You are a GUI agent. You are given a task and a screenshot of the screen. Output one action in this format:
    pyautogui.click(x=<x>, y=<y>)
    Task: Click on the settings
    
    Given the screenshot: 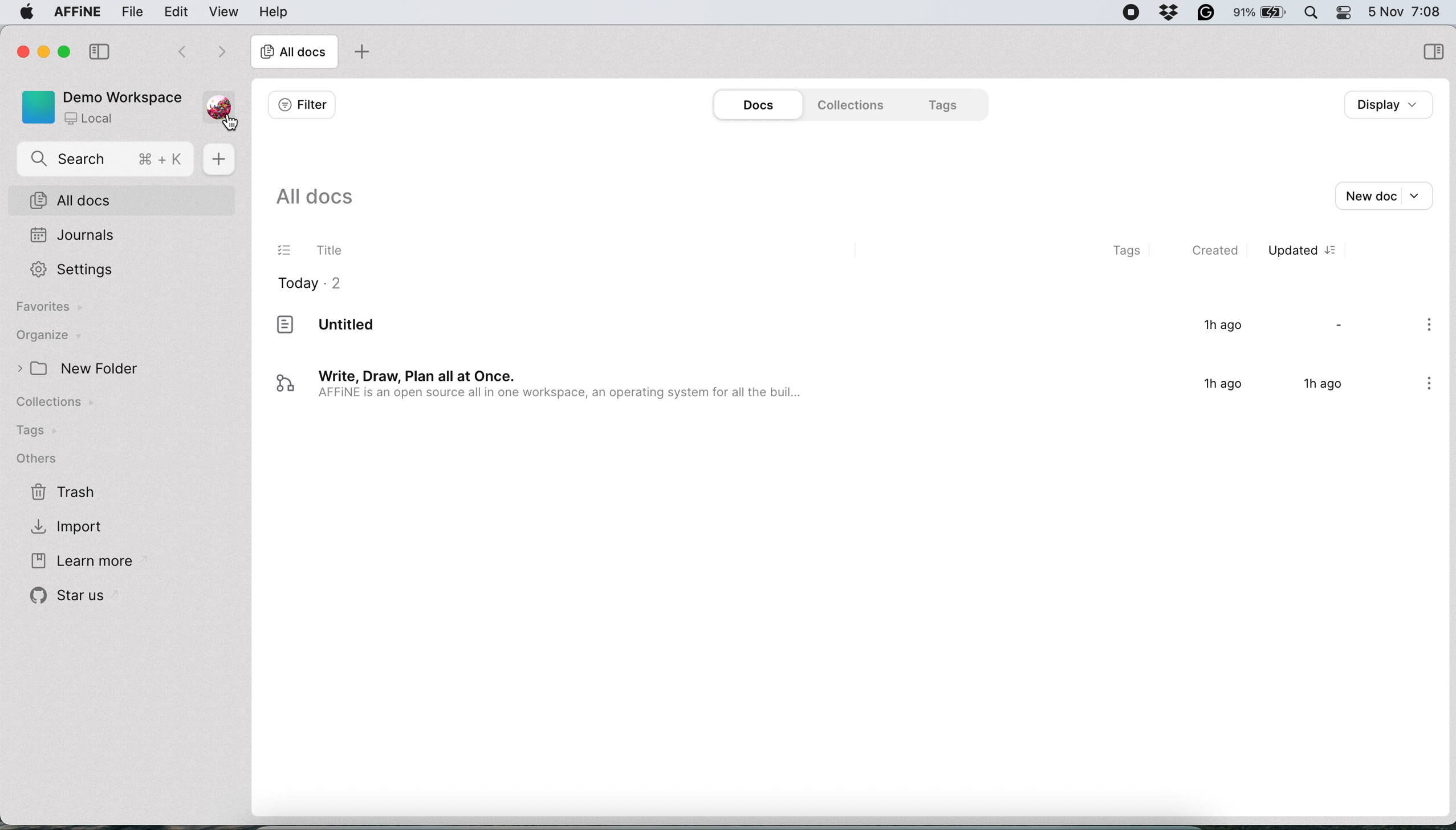 What is the action you would take?
    pyautogui.click(x=70, y=270)
    